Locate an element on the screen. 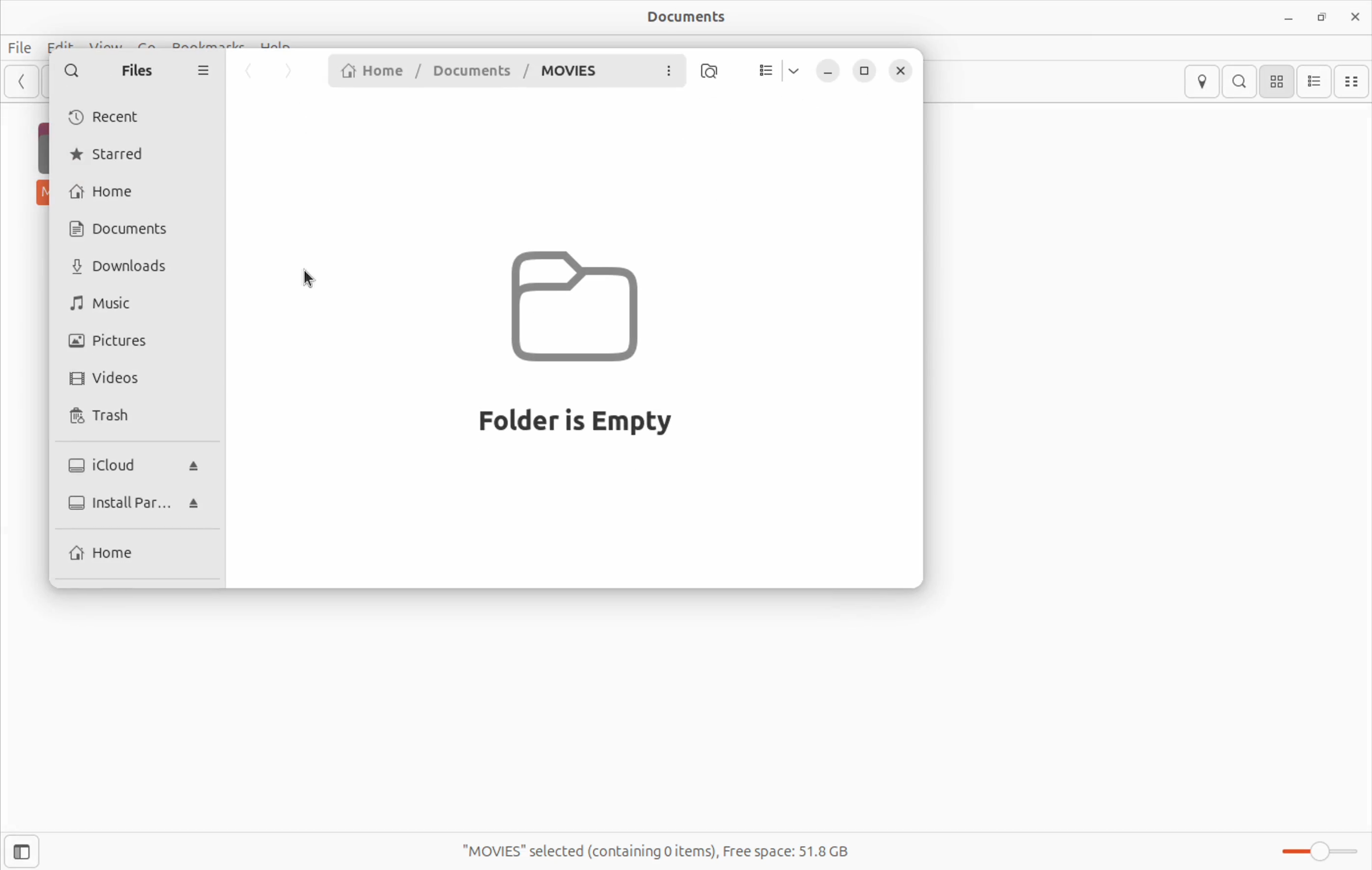 This screenshot has width=1372, height=870. show side bar is located at coordinates (21, 851).